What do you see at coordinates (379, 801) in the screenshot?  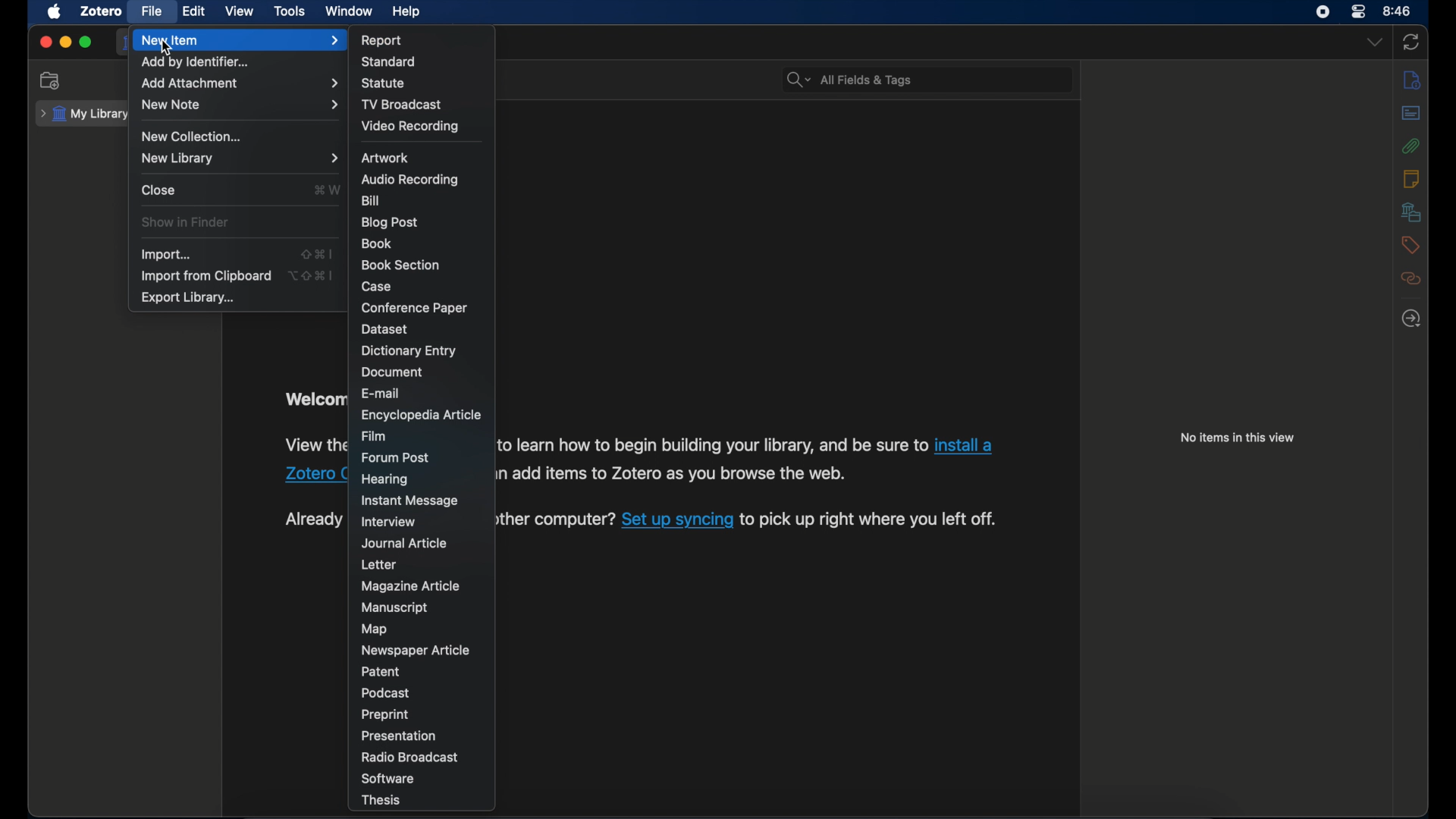 I see `thesis` at bounding box center [379, 801].